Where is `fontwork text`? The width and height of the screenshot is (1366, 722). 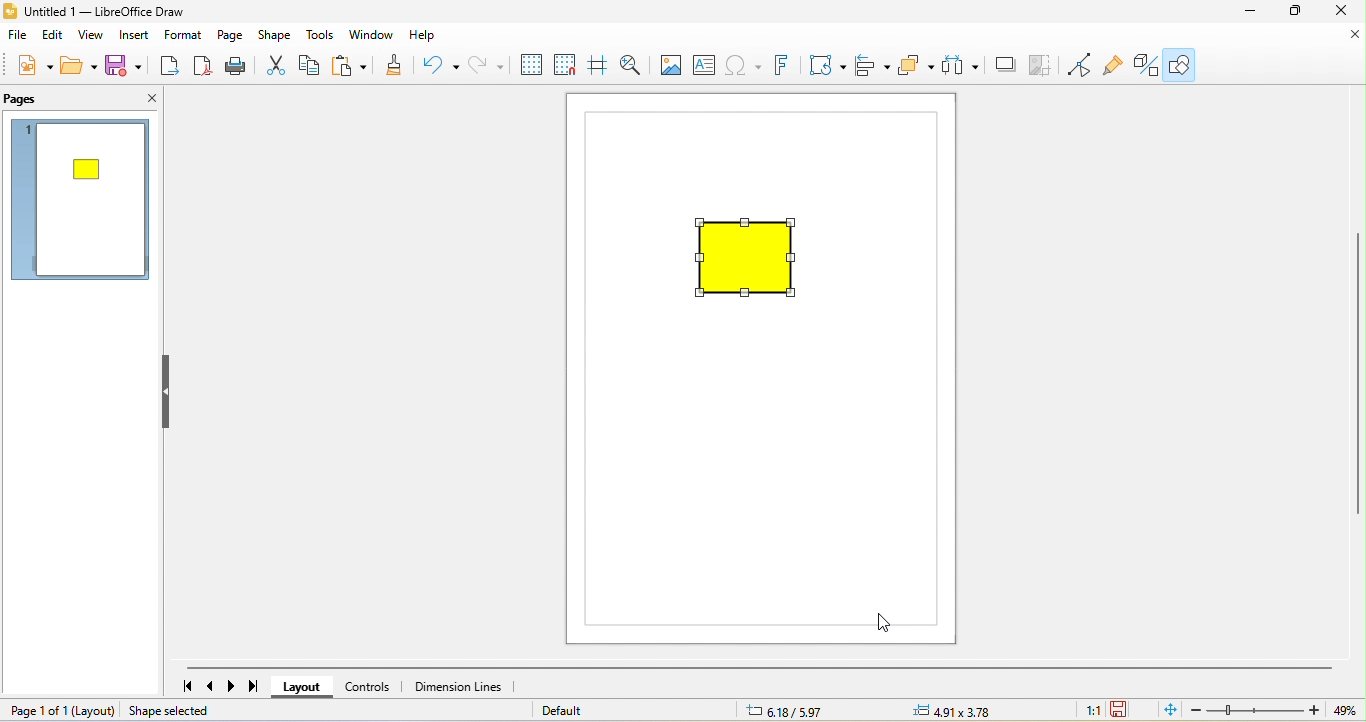 fontwork text is located at coordinates (781, 66).